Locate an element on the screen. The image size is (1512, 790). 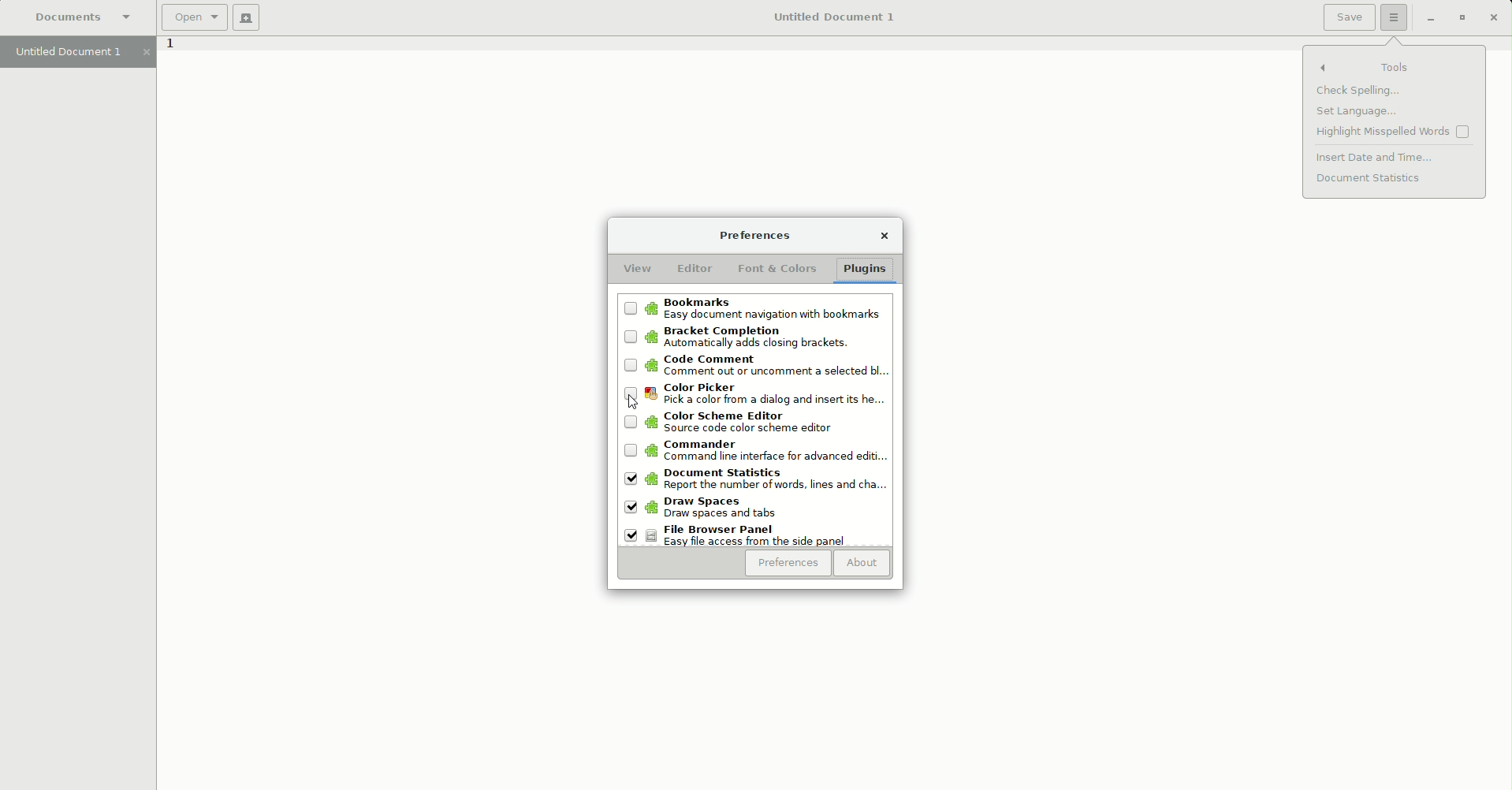
Document statistics is located at coordinates (1371, 179).